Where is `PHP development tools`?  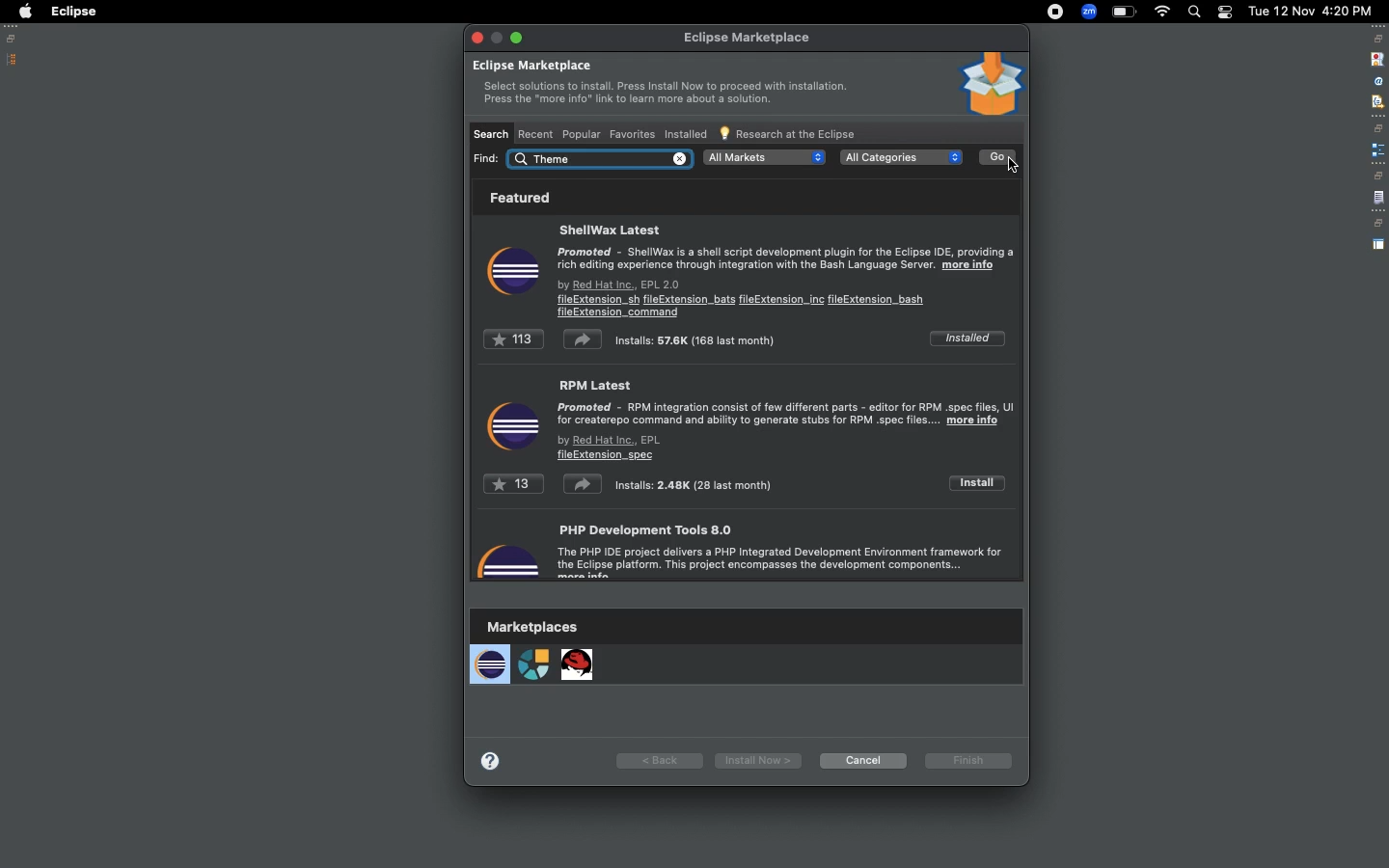 PHP development tools is located at coordinates (786, 552).